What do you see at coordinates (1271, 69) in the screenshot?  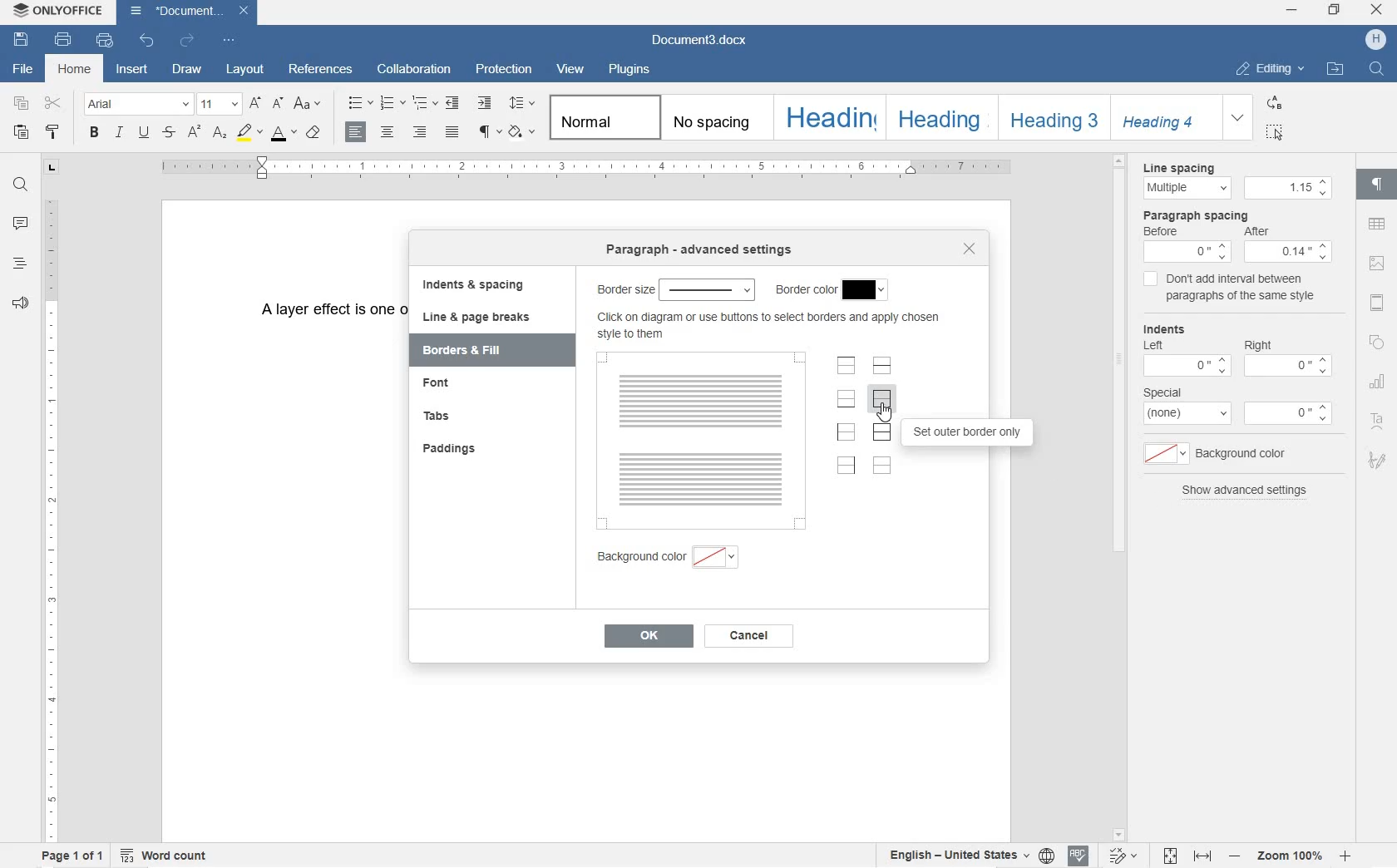 I see `EDITING` at bounding box center [1271, 69].